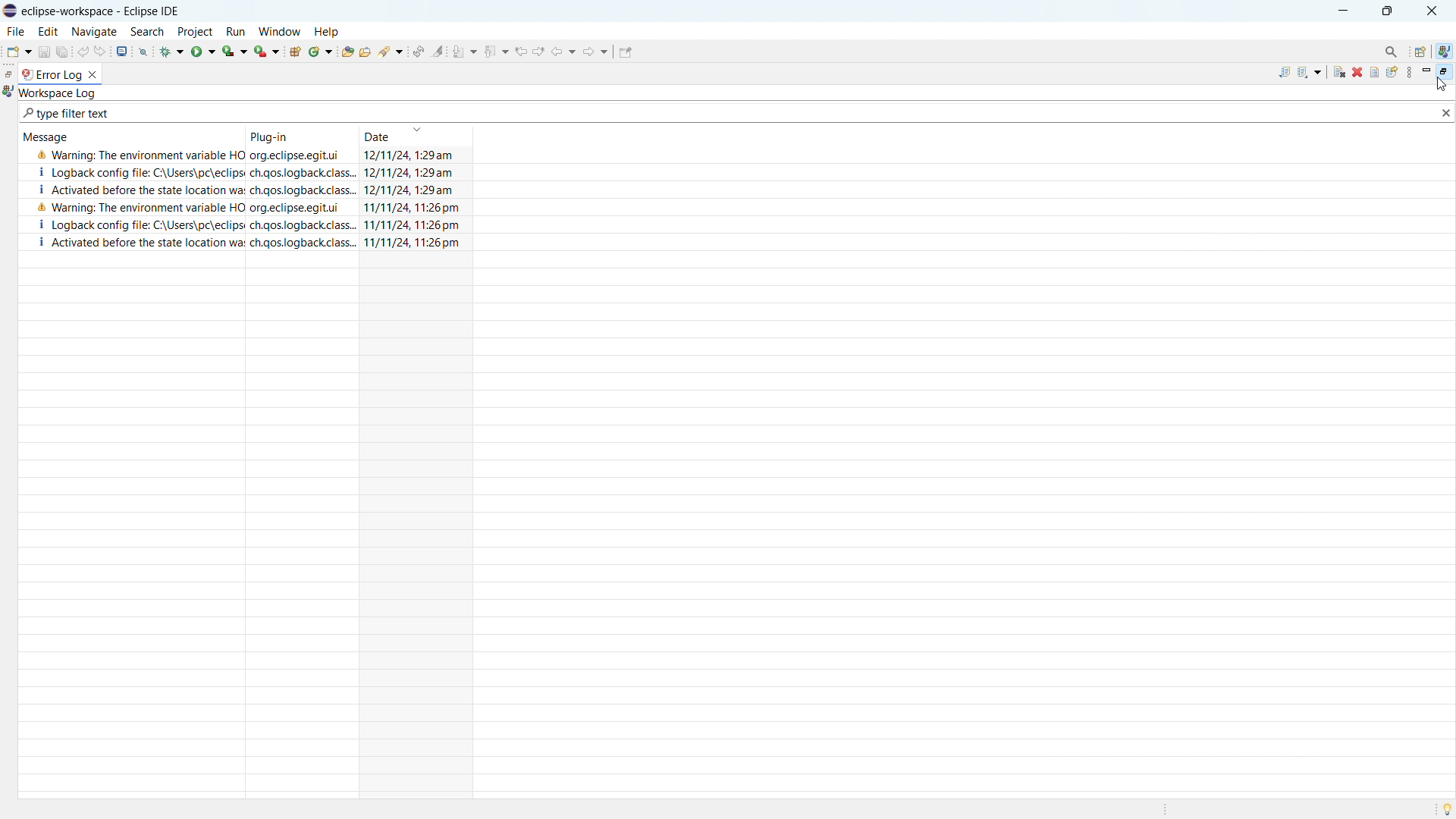 The image size is (1456, 819). What do you see at coordinates (198, 30) in the screenshot?
I see `project` at bounding box center [198, 30].